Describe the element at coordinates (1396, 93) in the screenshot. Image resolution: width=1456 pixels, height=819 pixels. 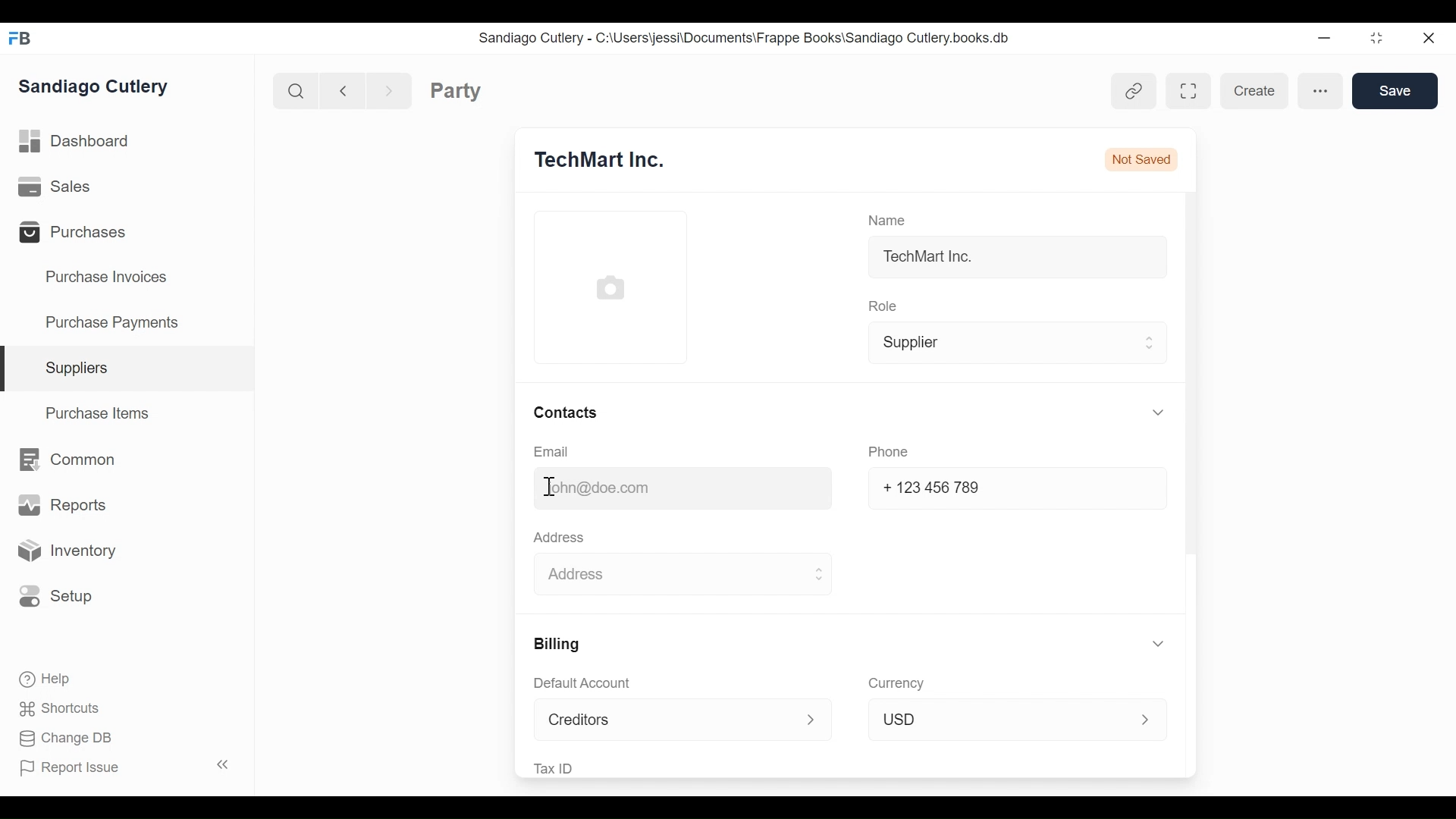
I see `Save` at that location.